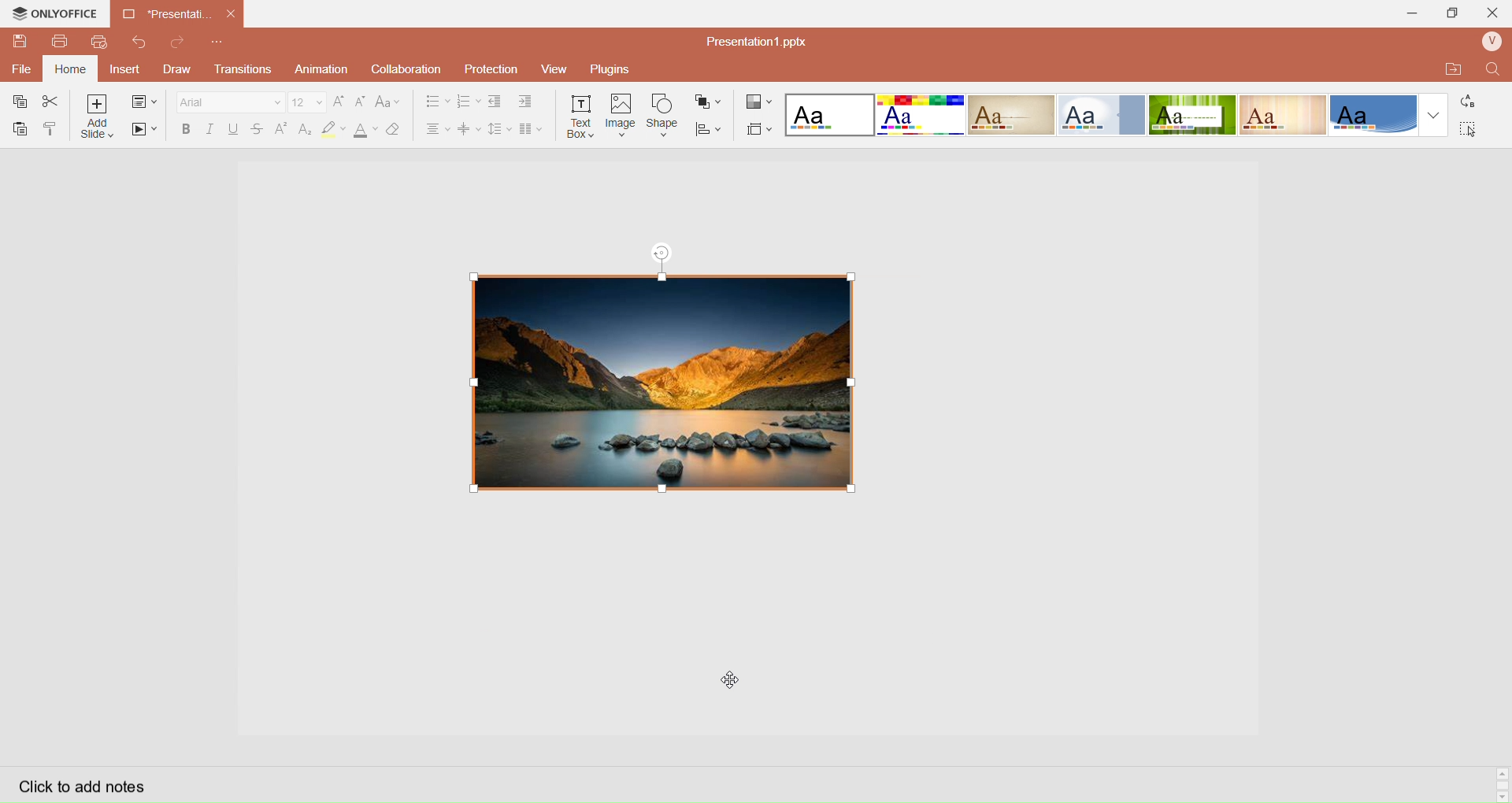  I want to click on onlyoffice , so click(65, 15).